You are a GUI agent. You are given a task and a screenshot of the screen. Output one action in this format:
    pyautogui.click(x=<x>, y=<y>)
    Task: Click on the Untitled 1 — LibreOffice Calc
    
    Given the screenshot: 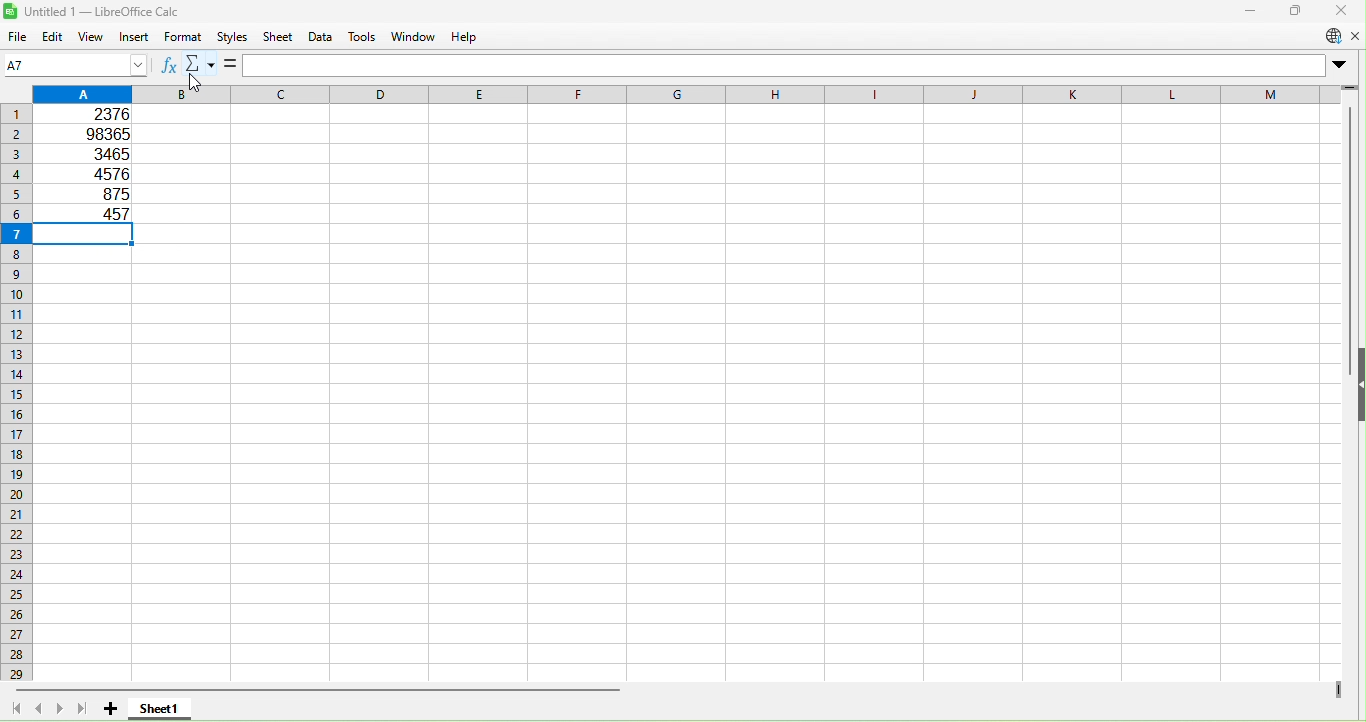 What is the action you would take?
    pyautogui.click(x=96, y=11)
    